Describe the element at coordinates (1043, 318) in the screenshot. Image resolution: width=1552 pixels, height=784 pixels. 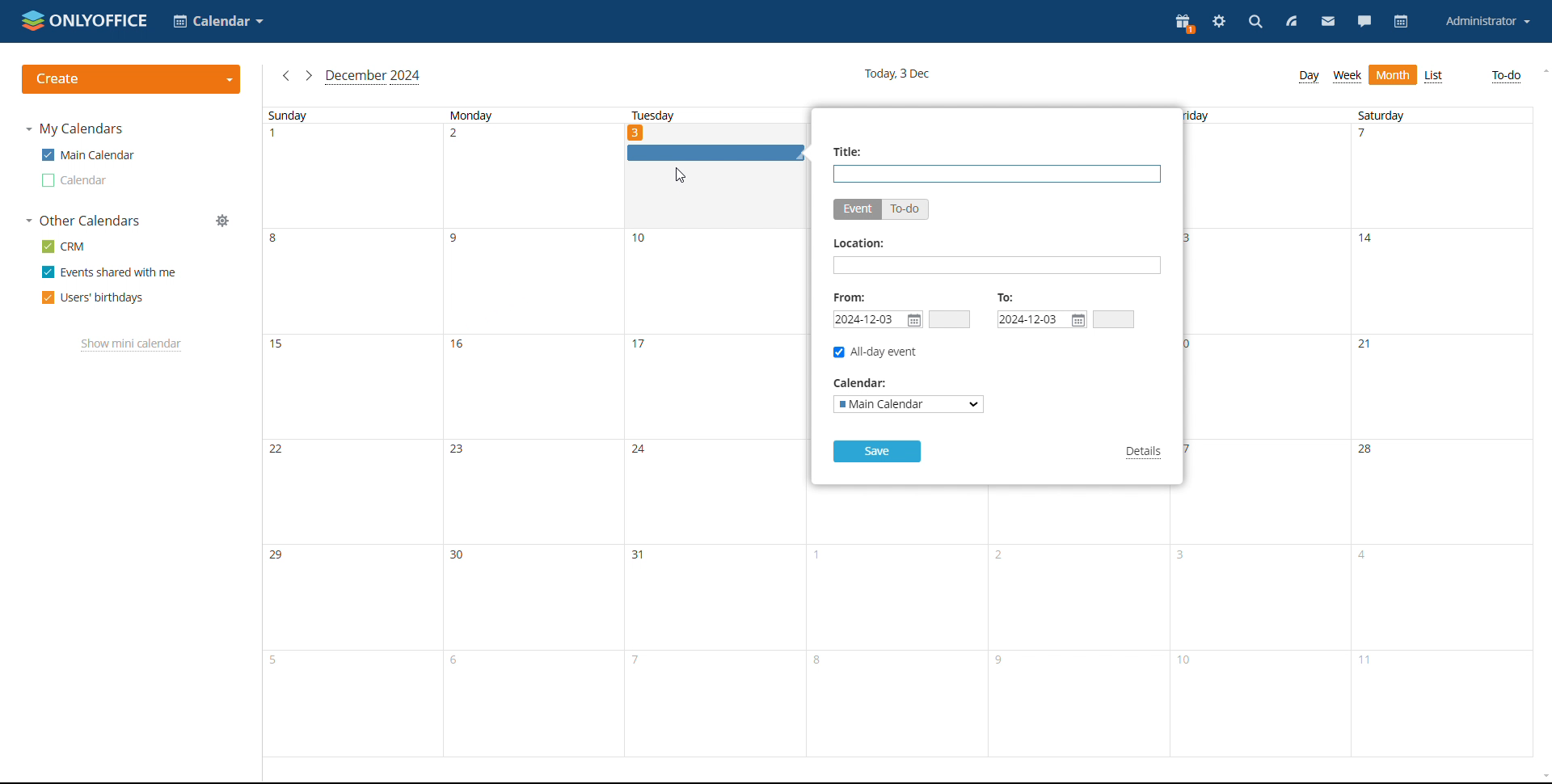
I see `end date` at that location.